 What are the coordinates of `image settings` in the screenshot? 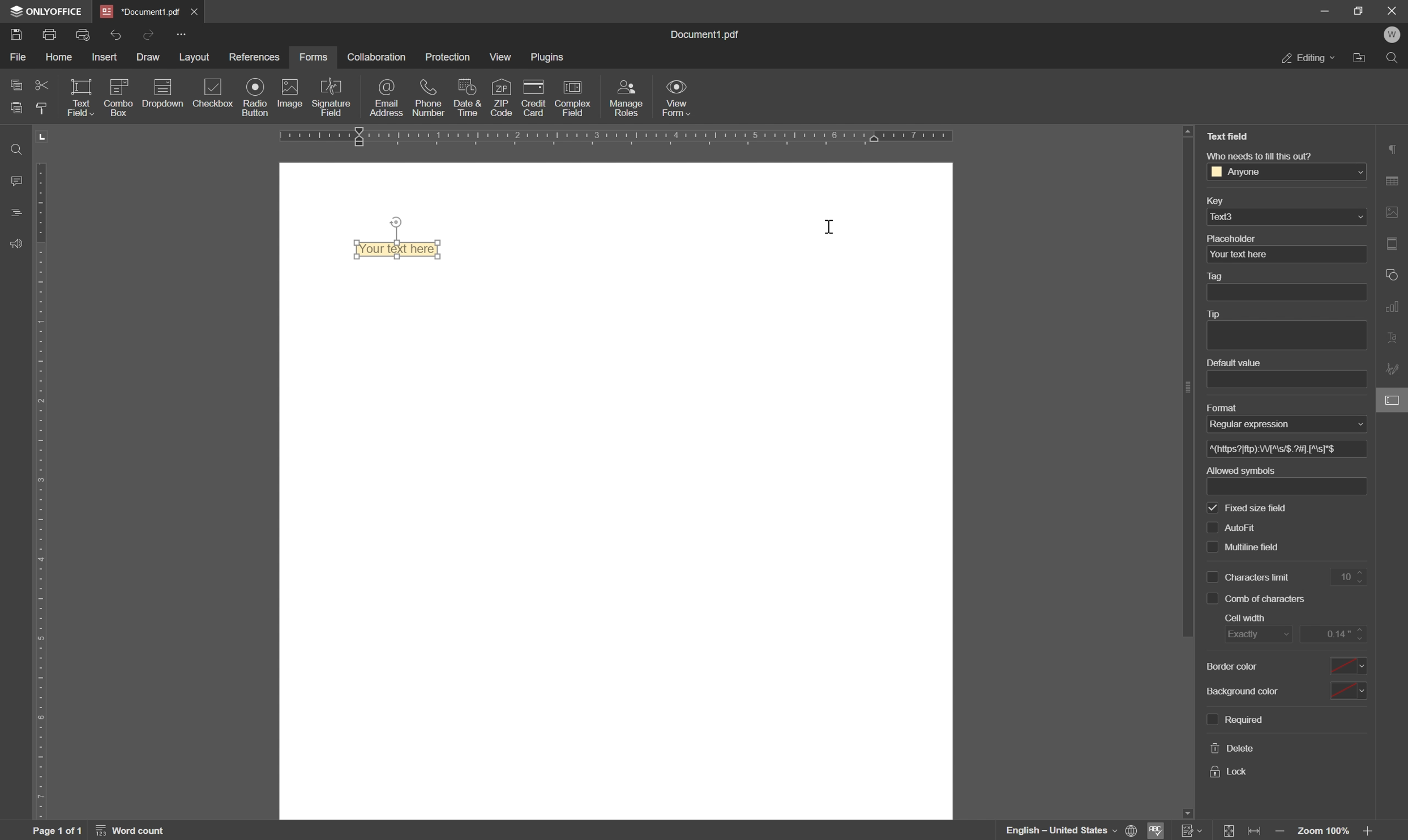 It's located at (1395, 212).